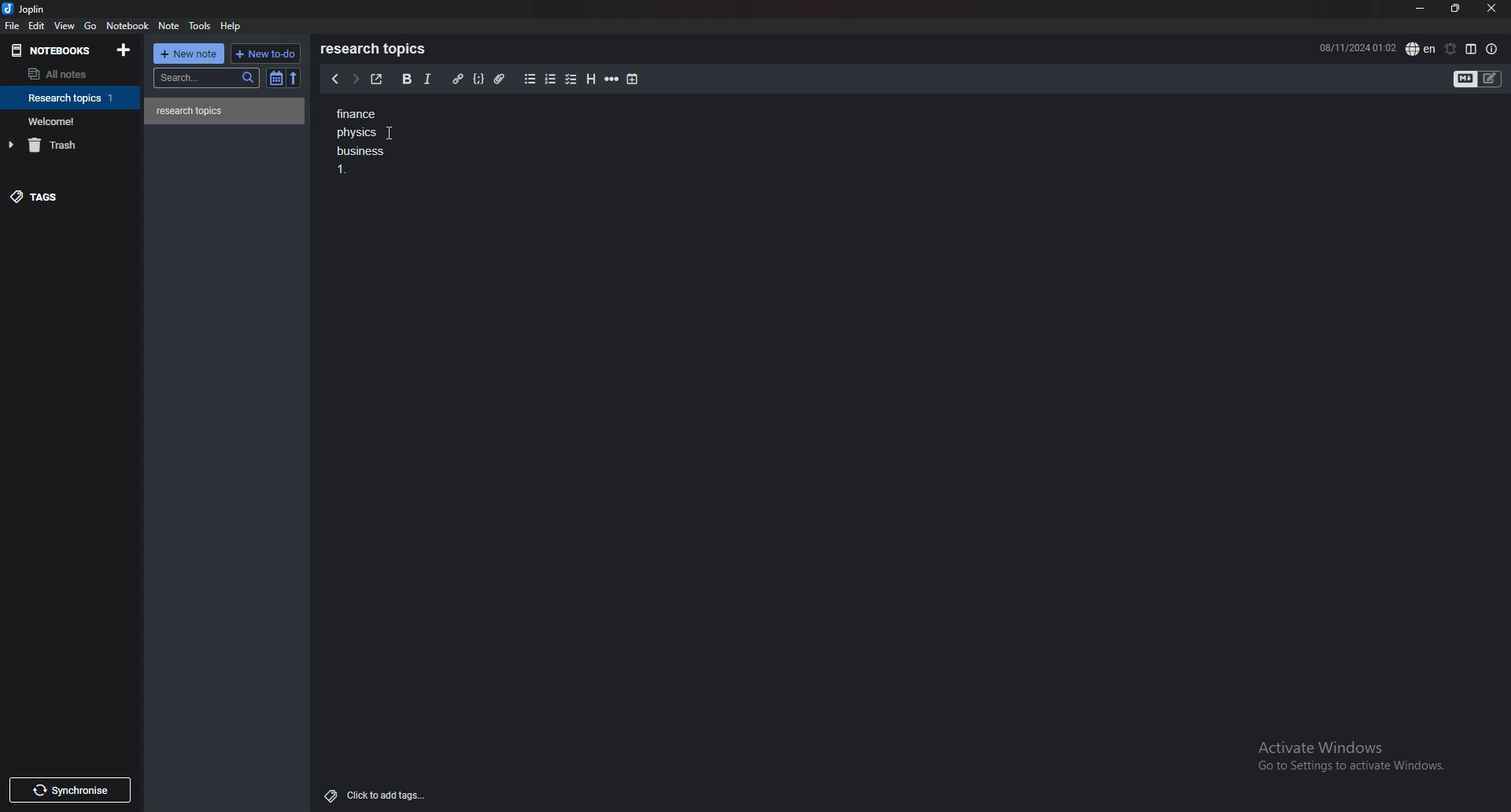 This screenshot has height=812, width=1511. Describe the element at coordinates (265, 53) in the screenshot. I see `new todo` at that location.